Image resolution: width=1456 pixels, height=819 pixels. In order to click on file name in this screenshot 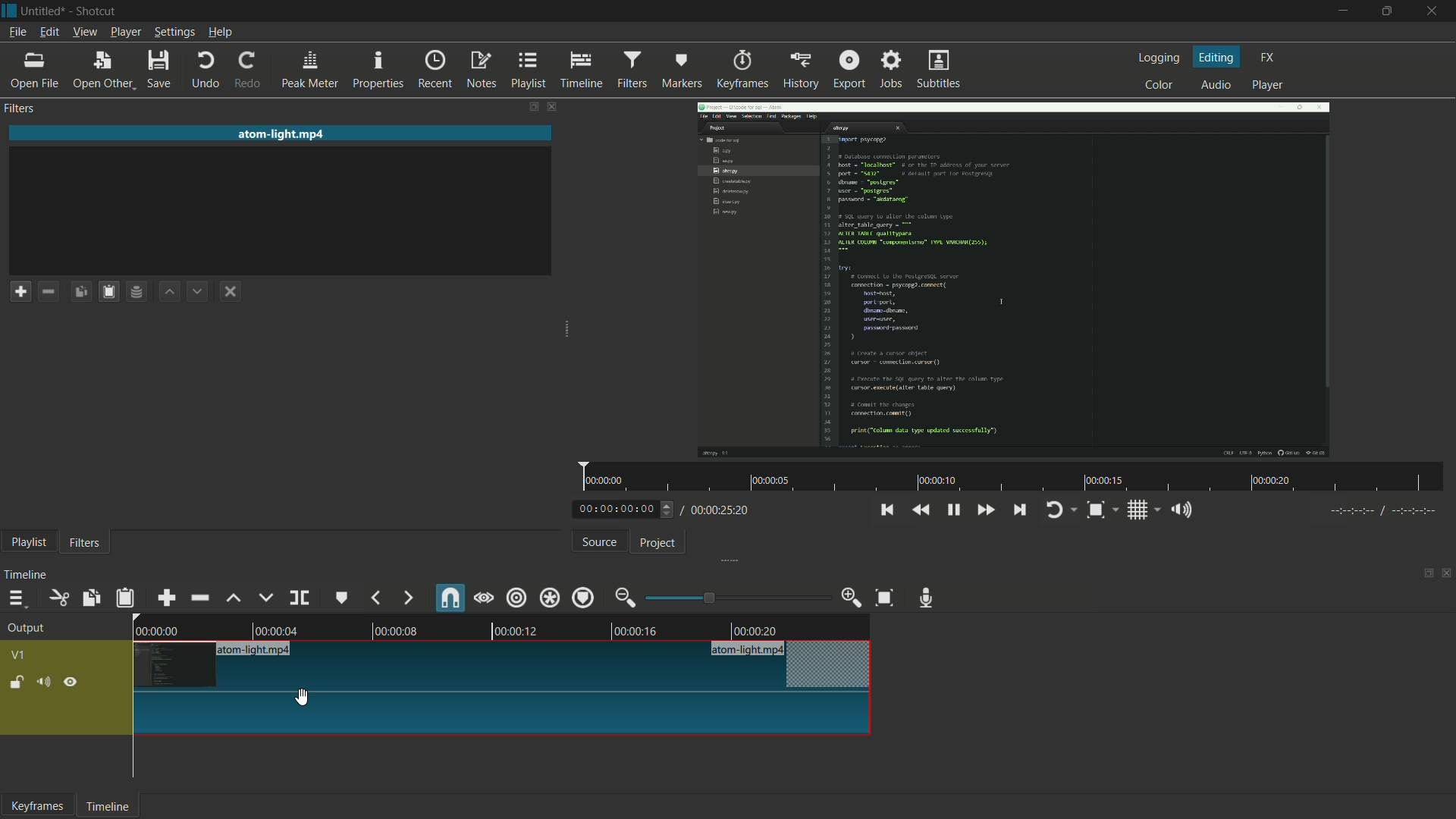, I will do `click(44, 11)`.